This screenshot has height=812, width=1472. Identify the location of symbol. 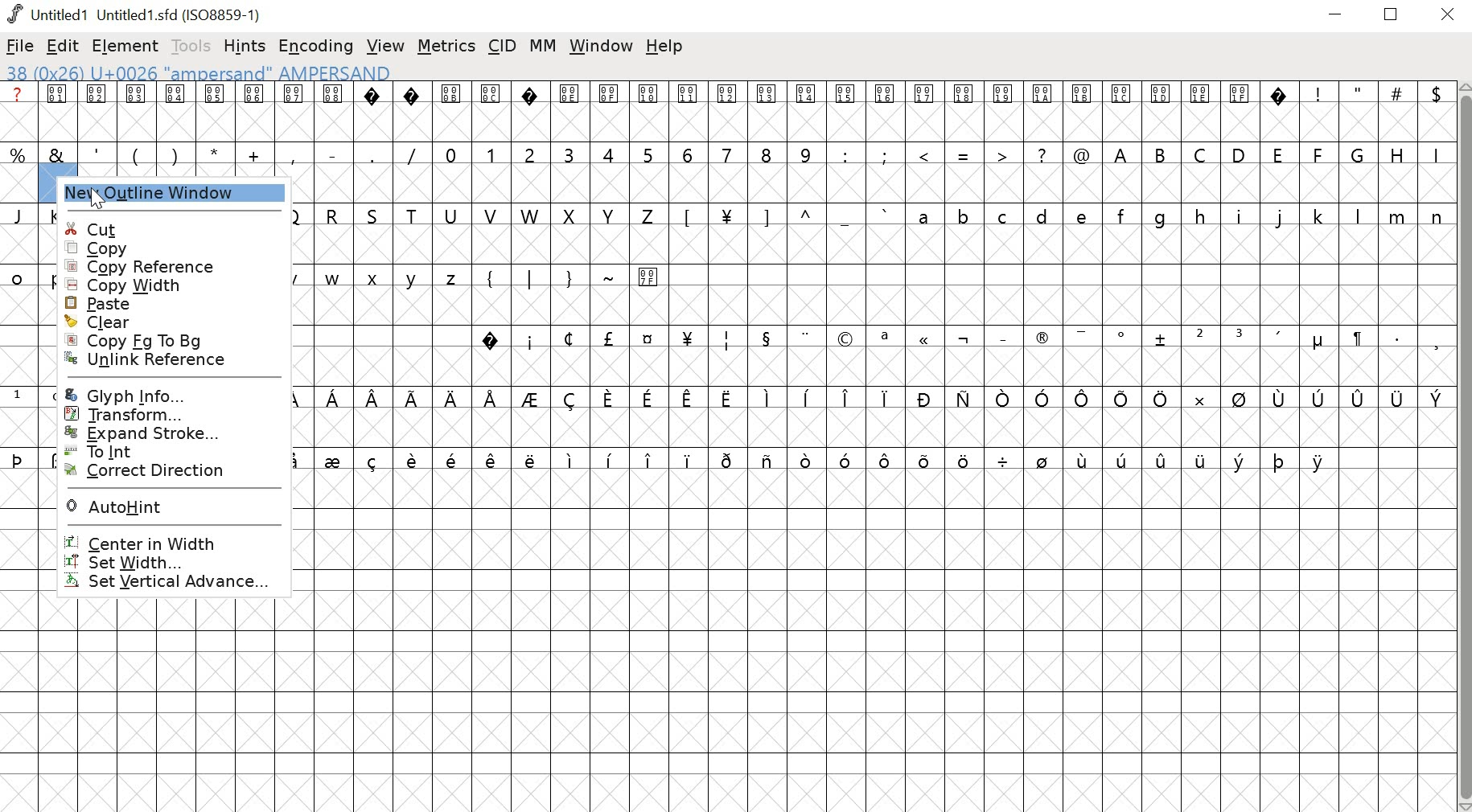
(802, 398).